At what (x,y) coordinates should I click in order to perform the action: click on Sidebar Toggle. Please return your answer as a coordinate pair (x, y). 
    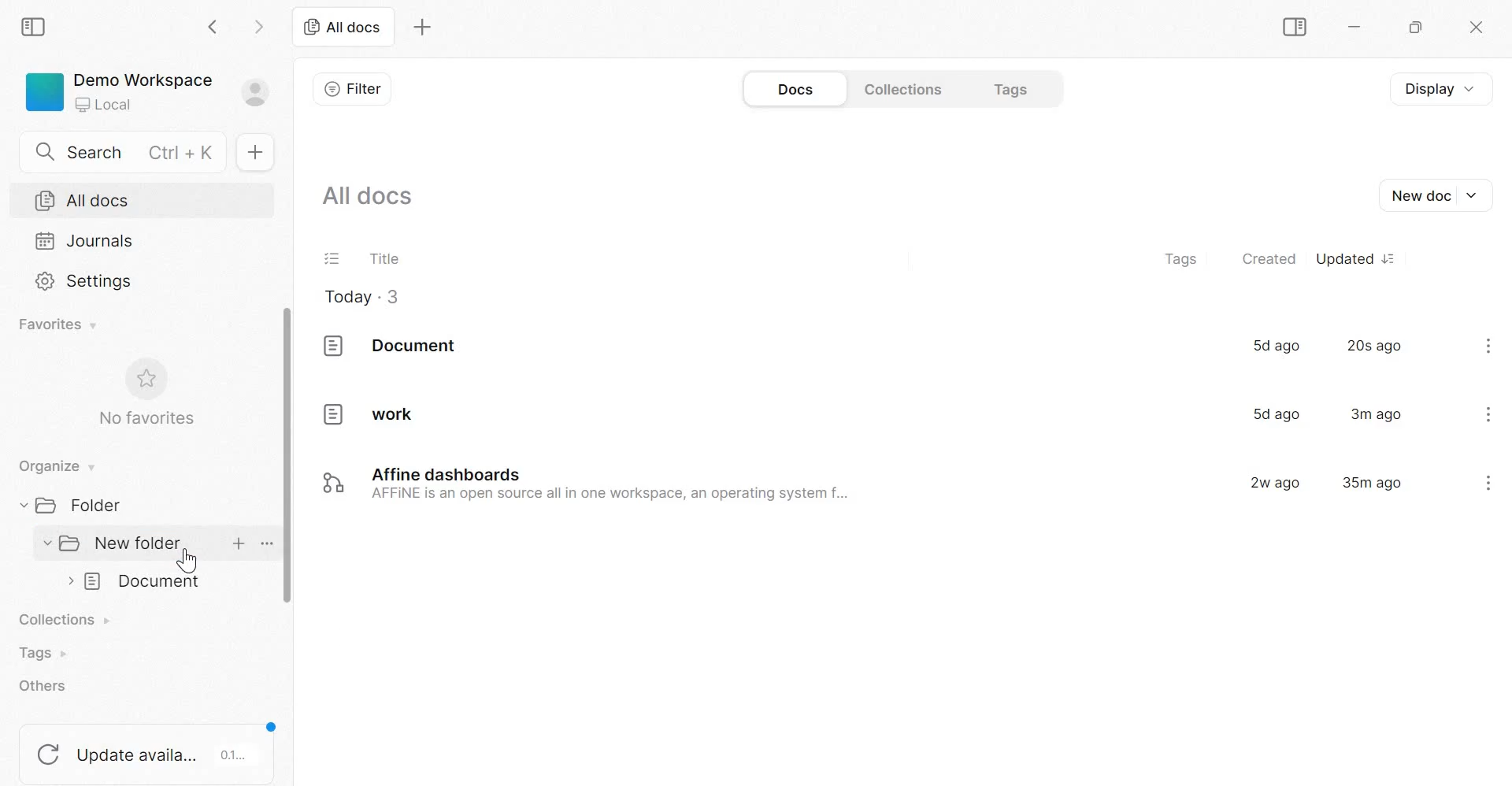
    Looking at the image, I should click on (37, 26).